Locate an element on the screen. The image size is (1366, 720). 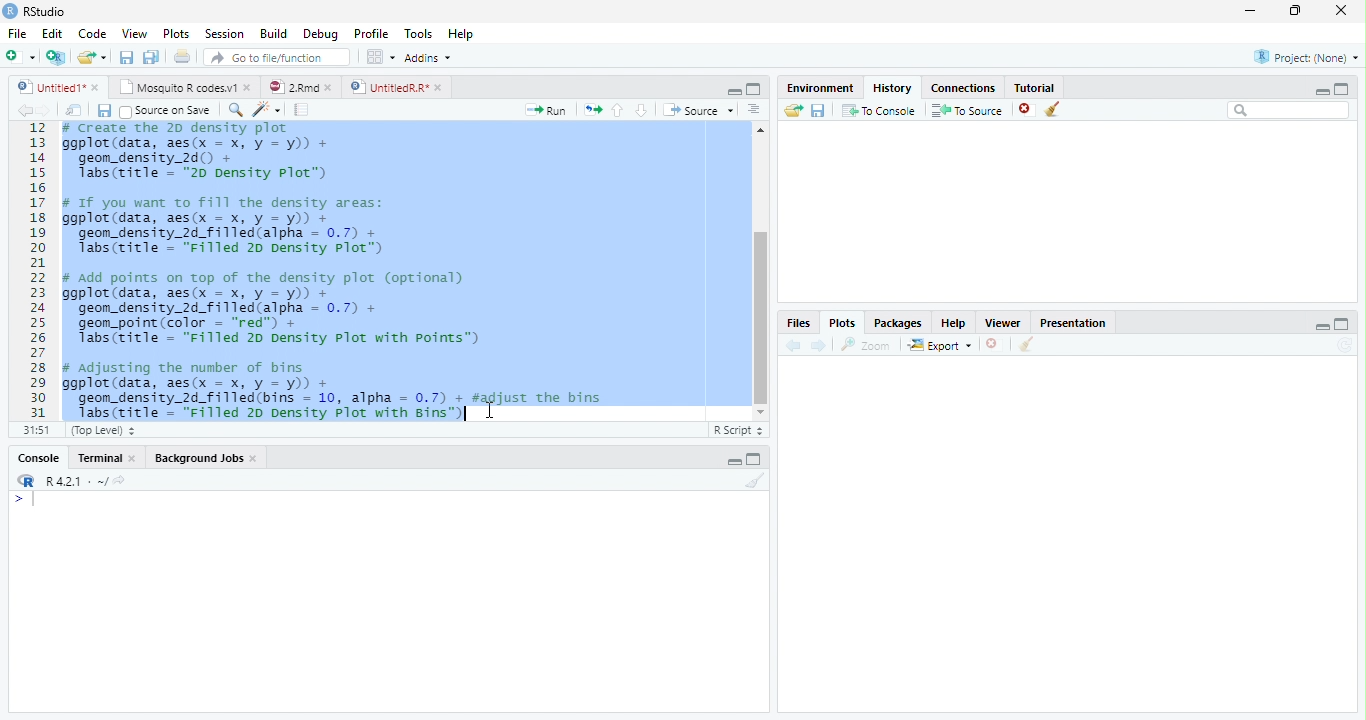
cursor is located at coordinates (490, 410).